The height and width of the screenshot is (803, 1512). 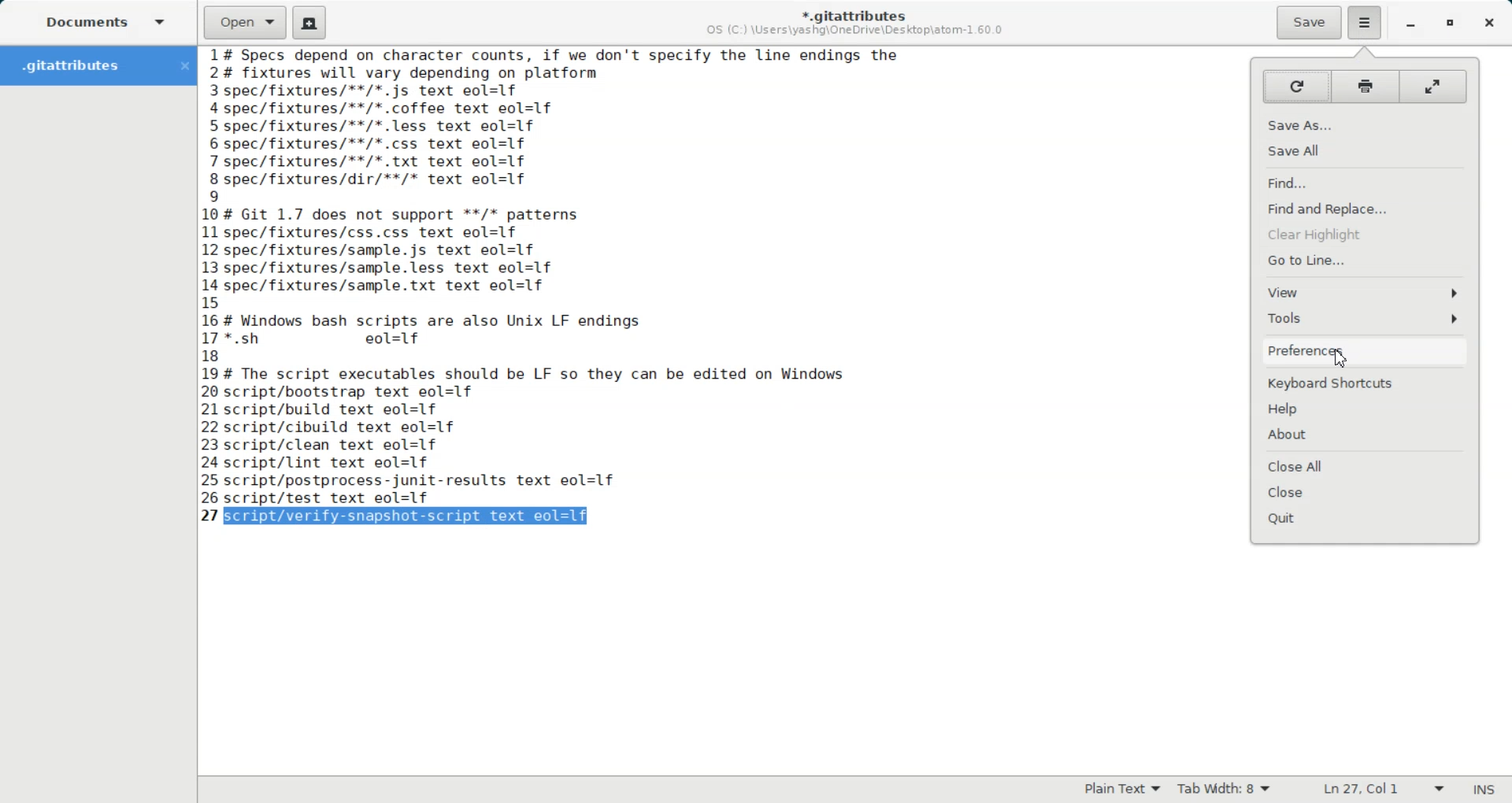 What do you see at coordinates (245, 21) in the screenshot?
I see `Open a file` at bounding box center [245, 21].